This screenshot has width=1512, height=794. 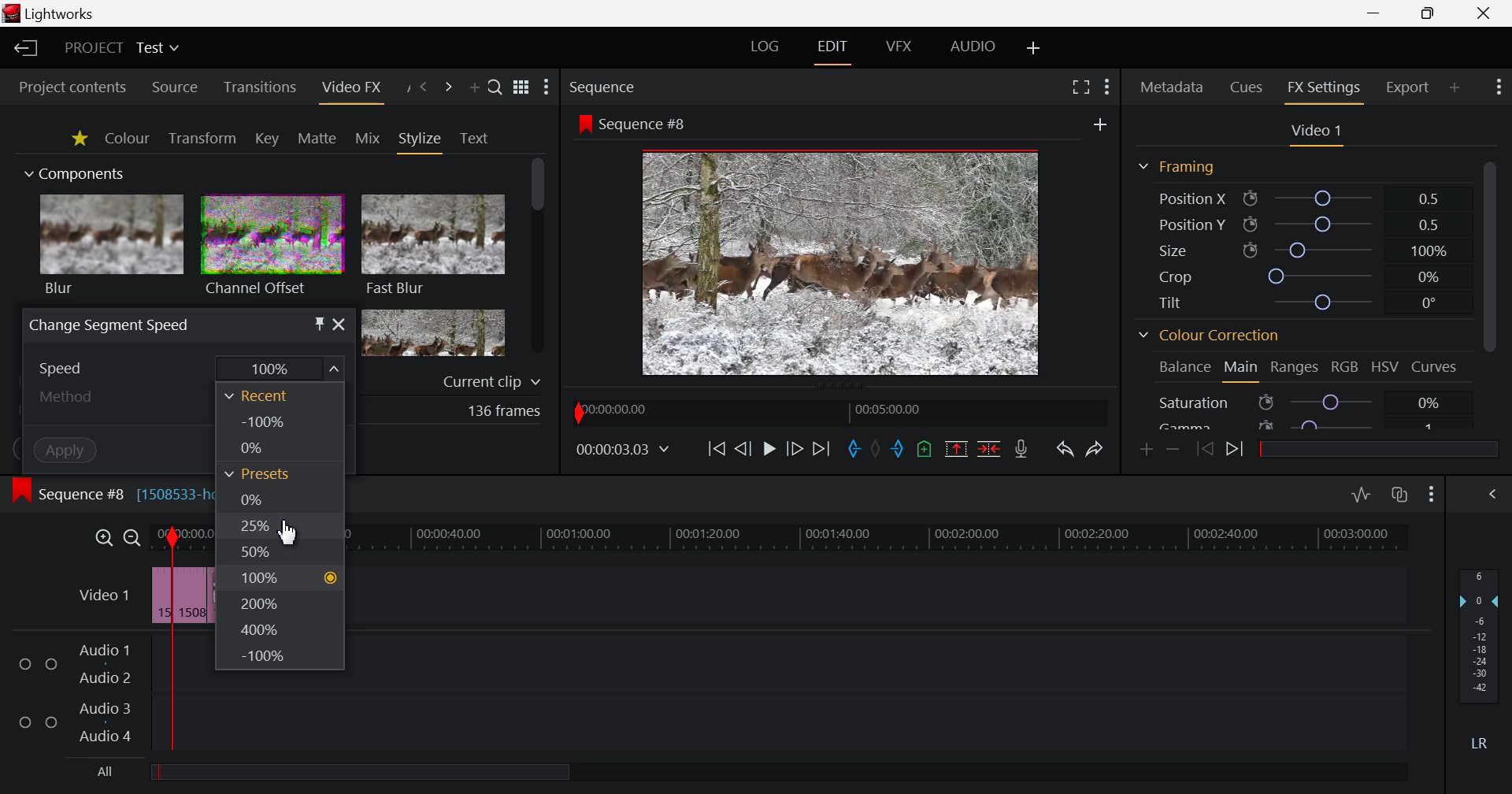 I want to click on All, so click(x=344, y=774).